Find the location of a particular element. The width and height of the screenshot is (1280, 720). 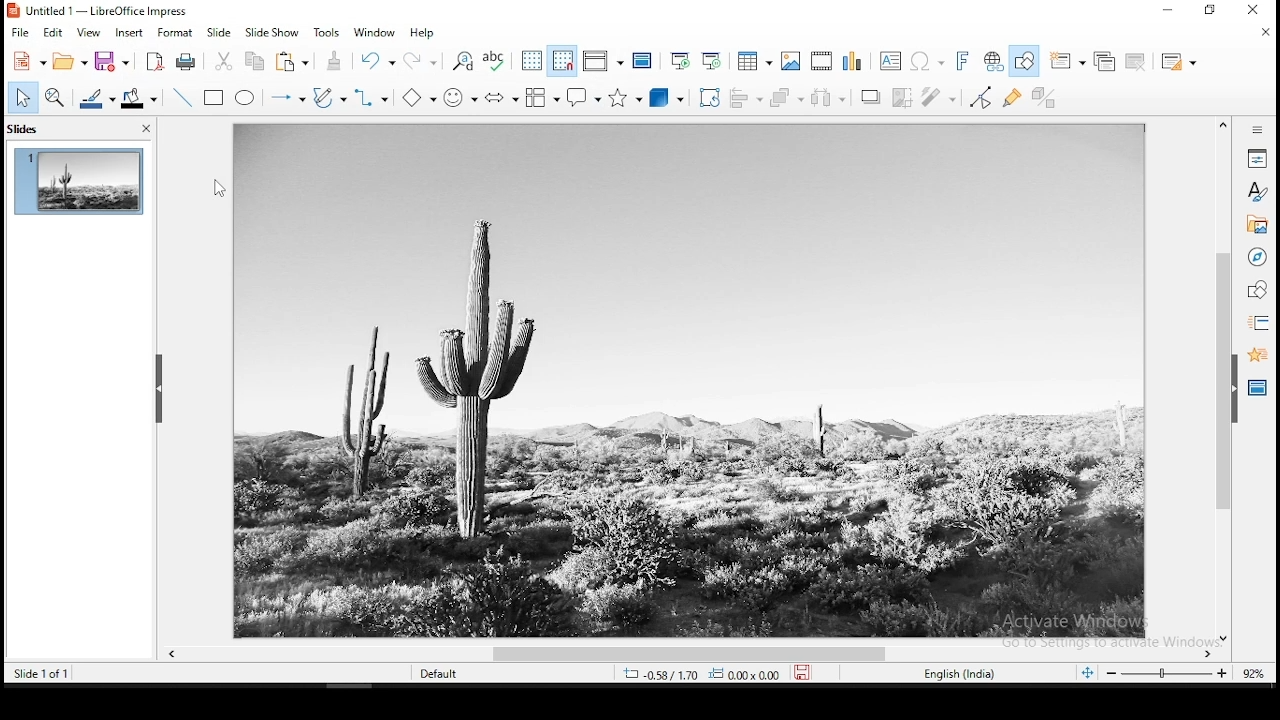

shapes is located at coordinates (1258, 290).